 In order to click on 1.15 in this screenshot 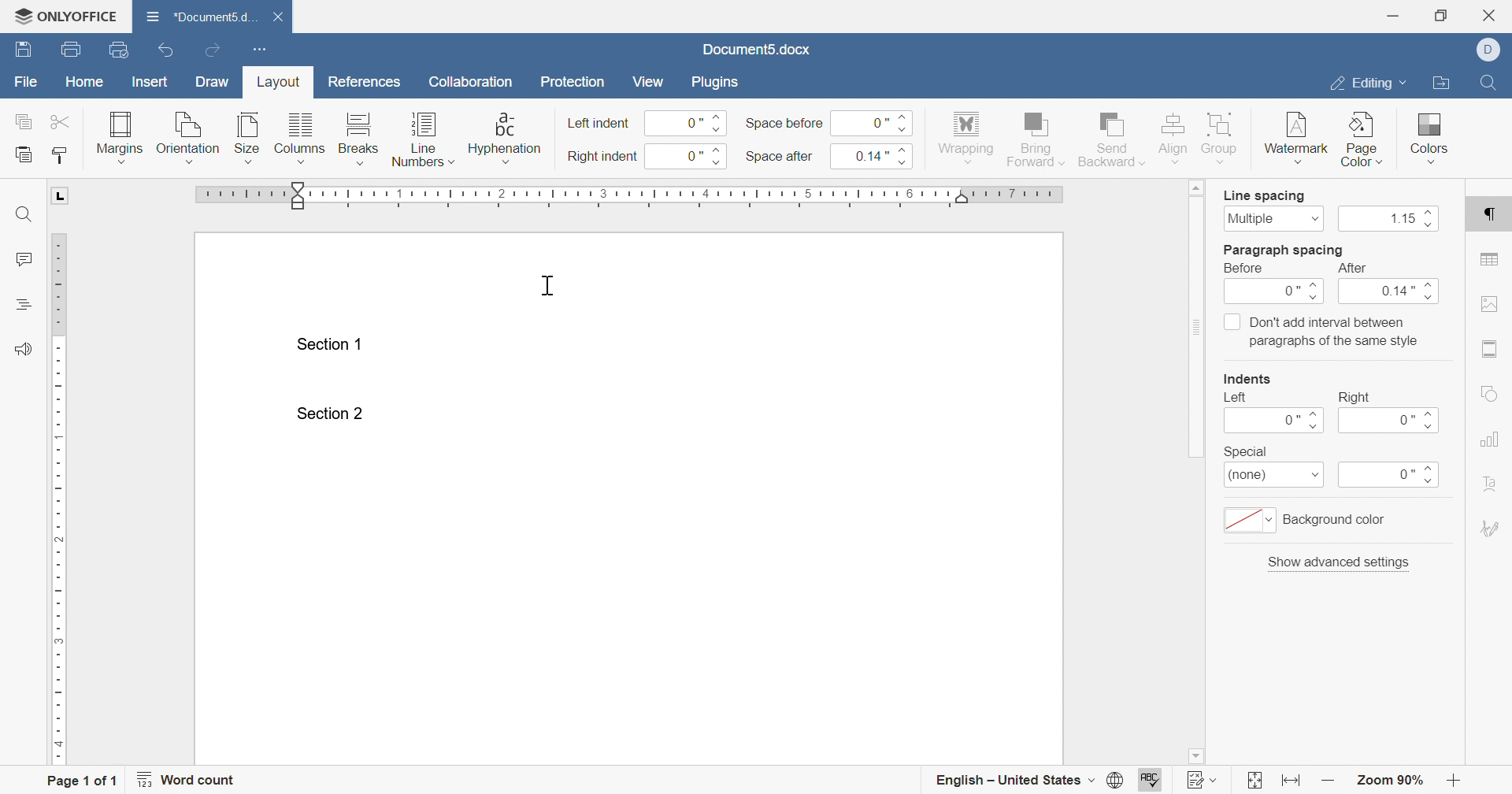, I will do `click(1392, 220)`.